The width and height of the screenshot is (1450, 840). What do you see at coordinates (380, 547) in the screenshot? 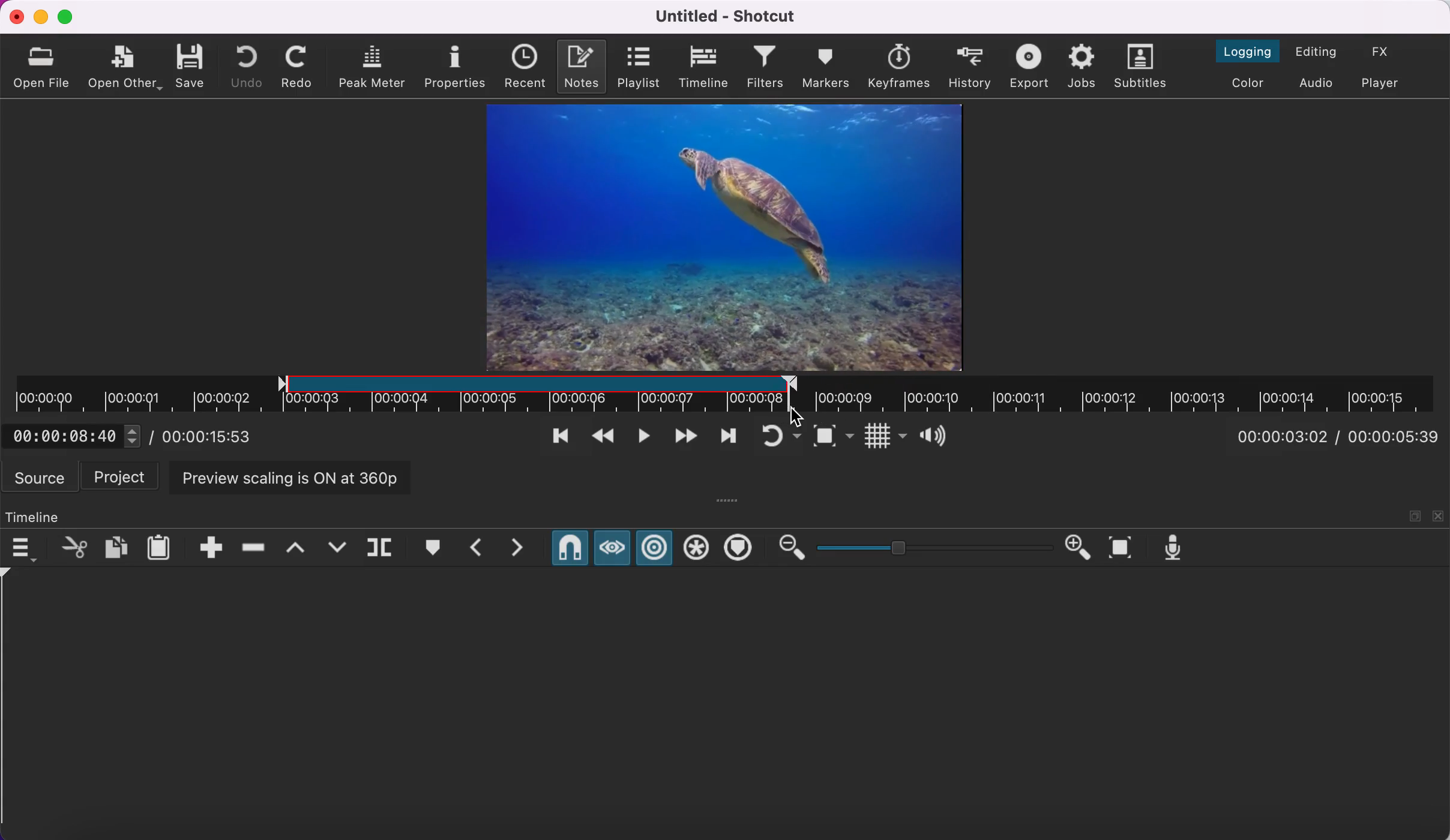
I see `split at playhead` at bounding box center [380, 547].